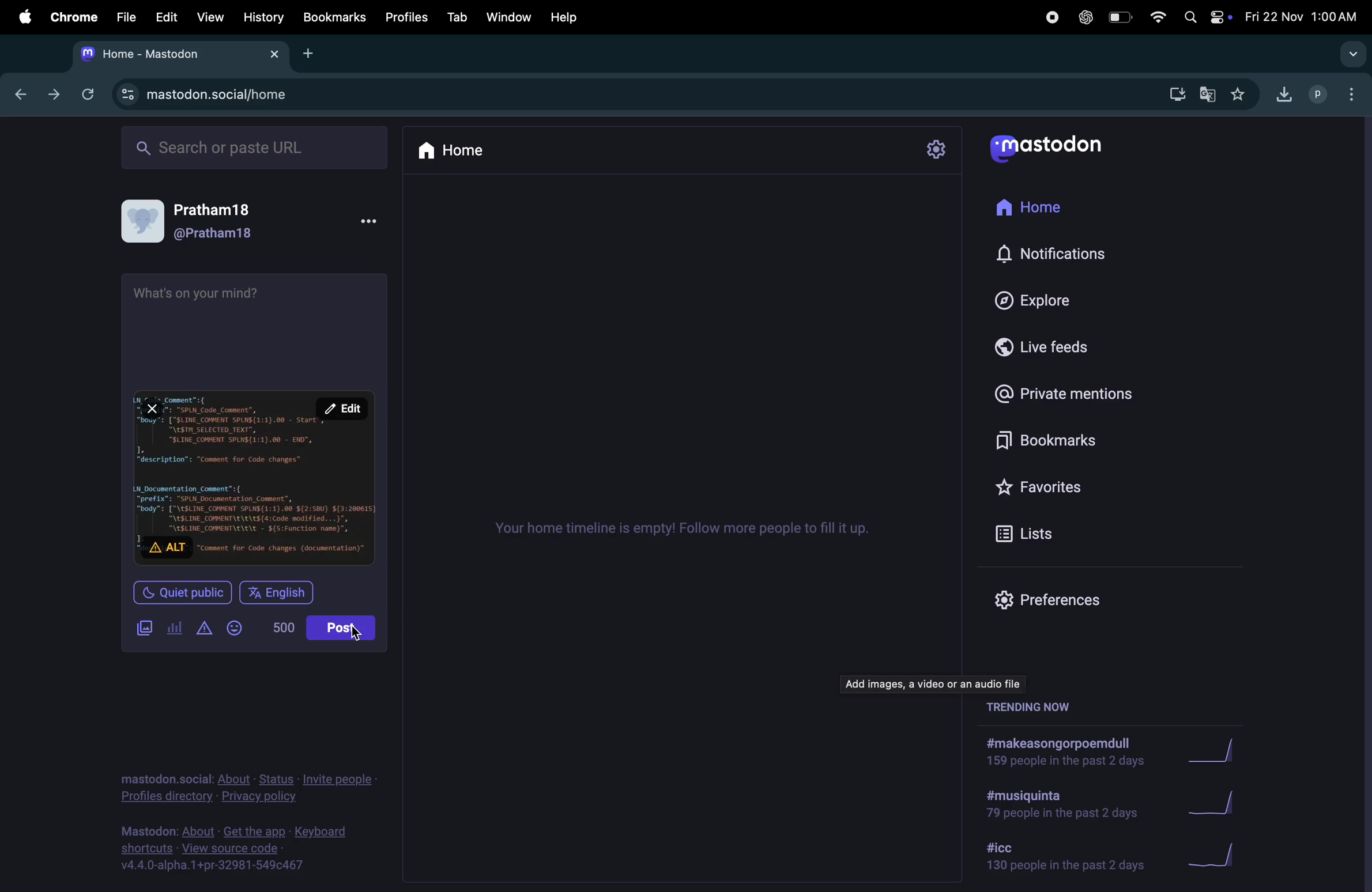  What do you see at coordinates (455, 17) in the screenshot?
I see `tab` at bounding box center [455, 17].